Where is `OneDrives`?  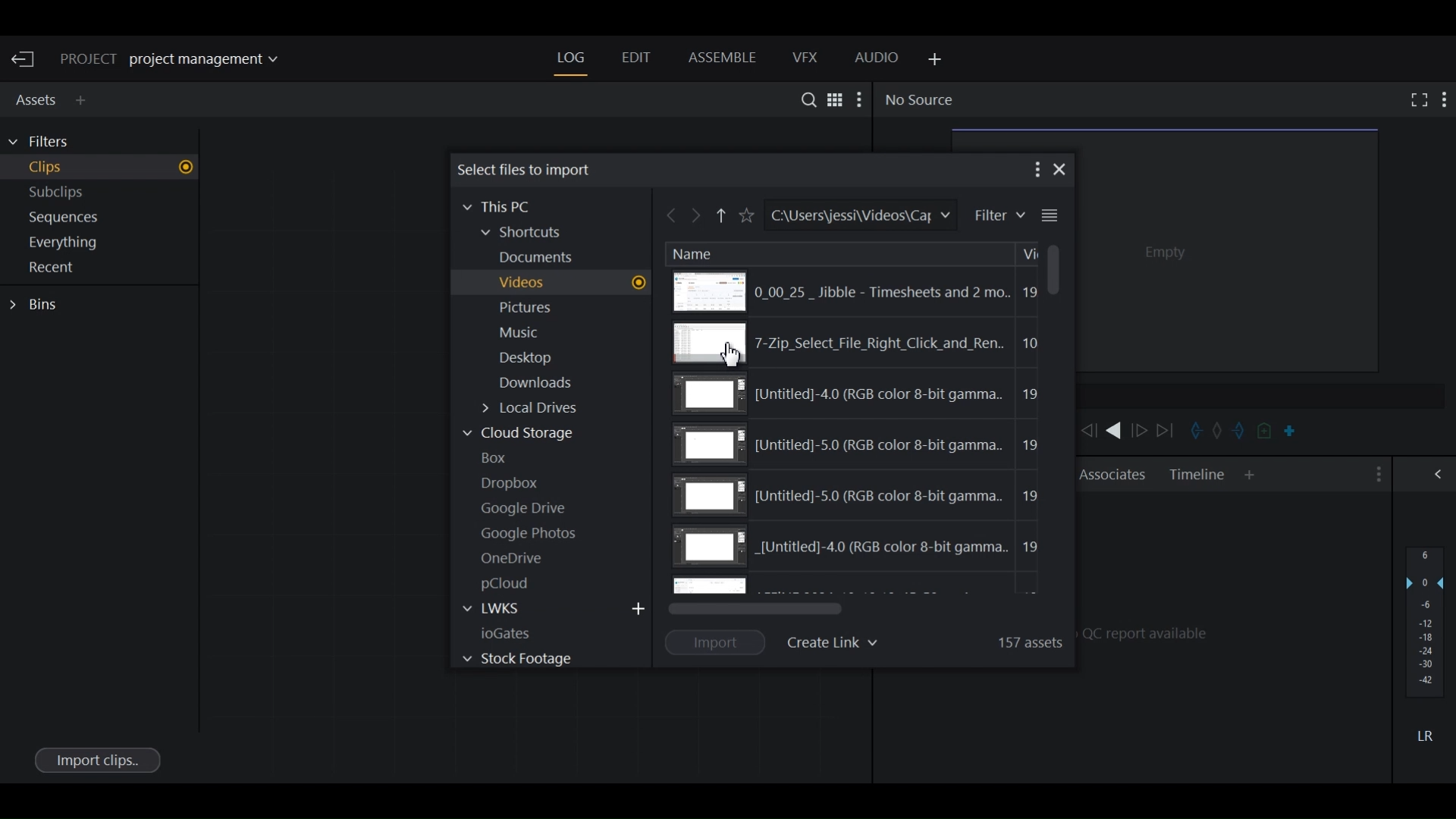 OneDrives is located at coordinates (513, 558).